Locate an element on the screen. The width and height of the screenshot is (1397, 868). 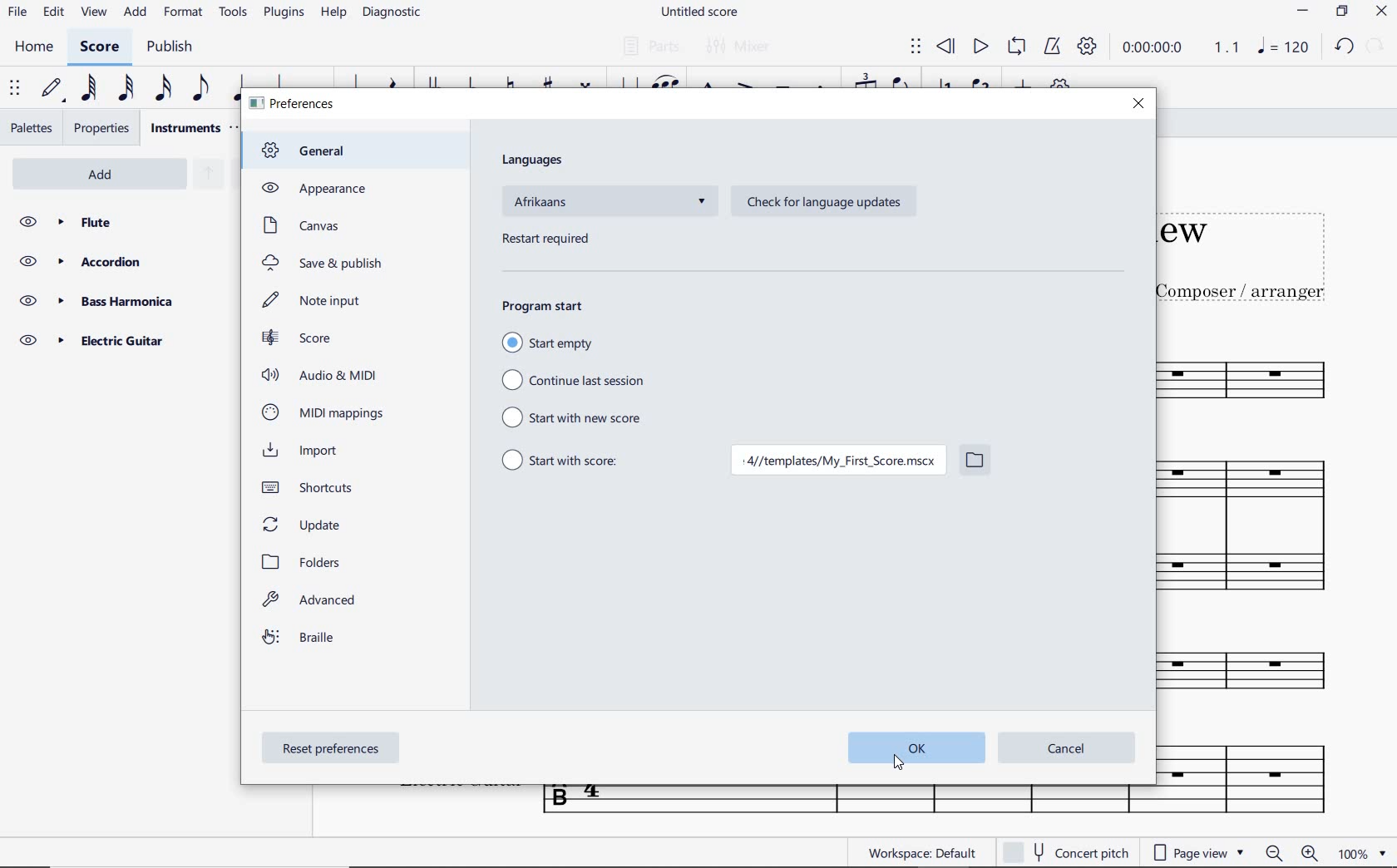
MOVE SELECTED STAVES UP is located at coordinates (205, 175).